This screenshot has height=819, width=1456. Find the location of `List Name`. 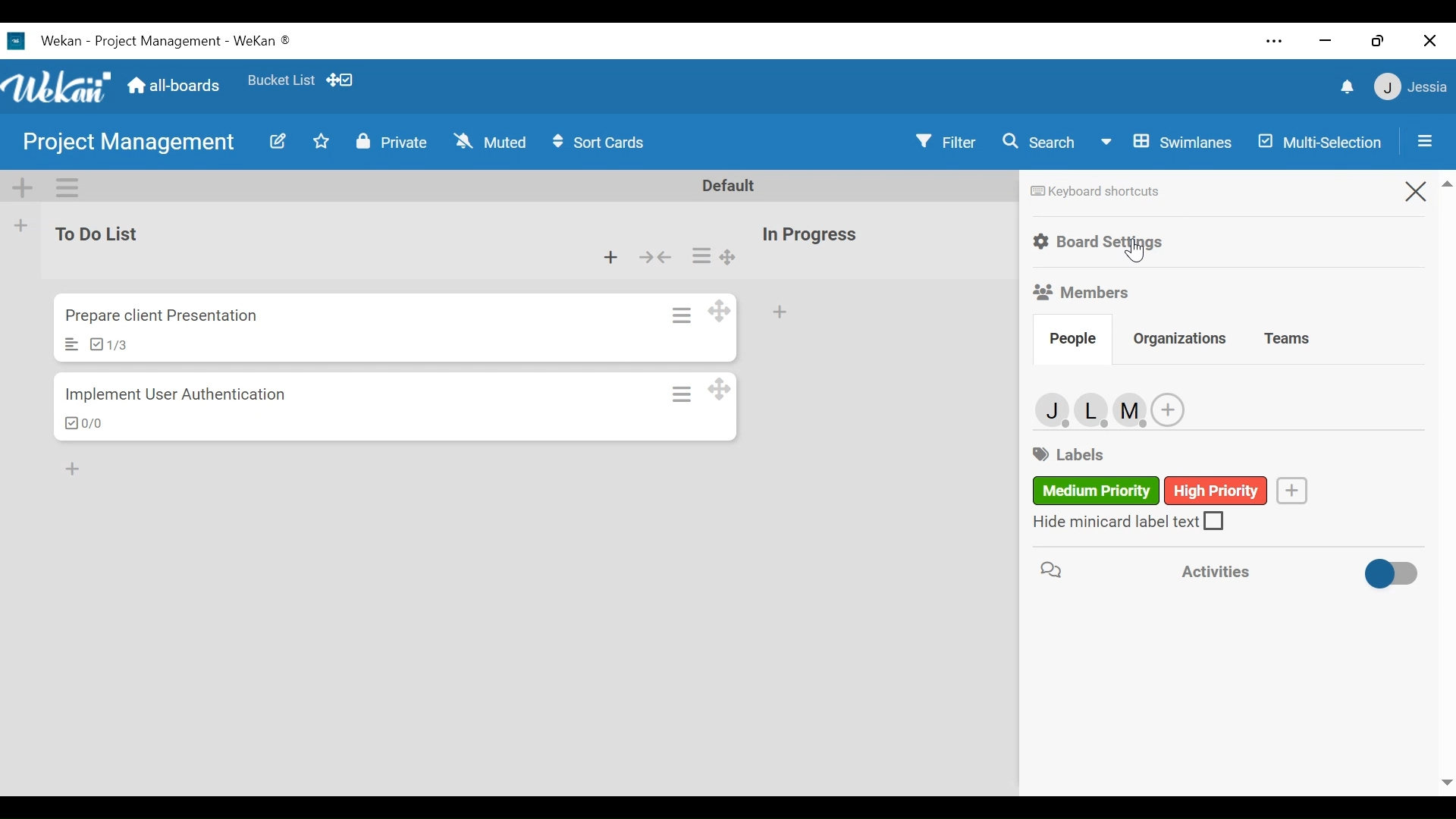

List Name is located at coordinates (103, 234).